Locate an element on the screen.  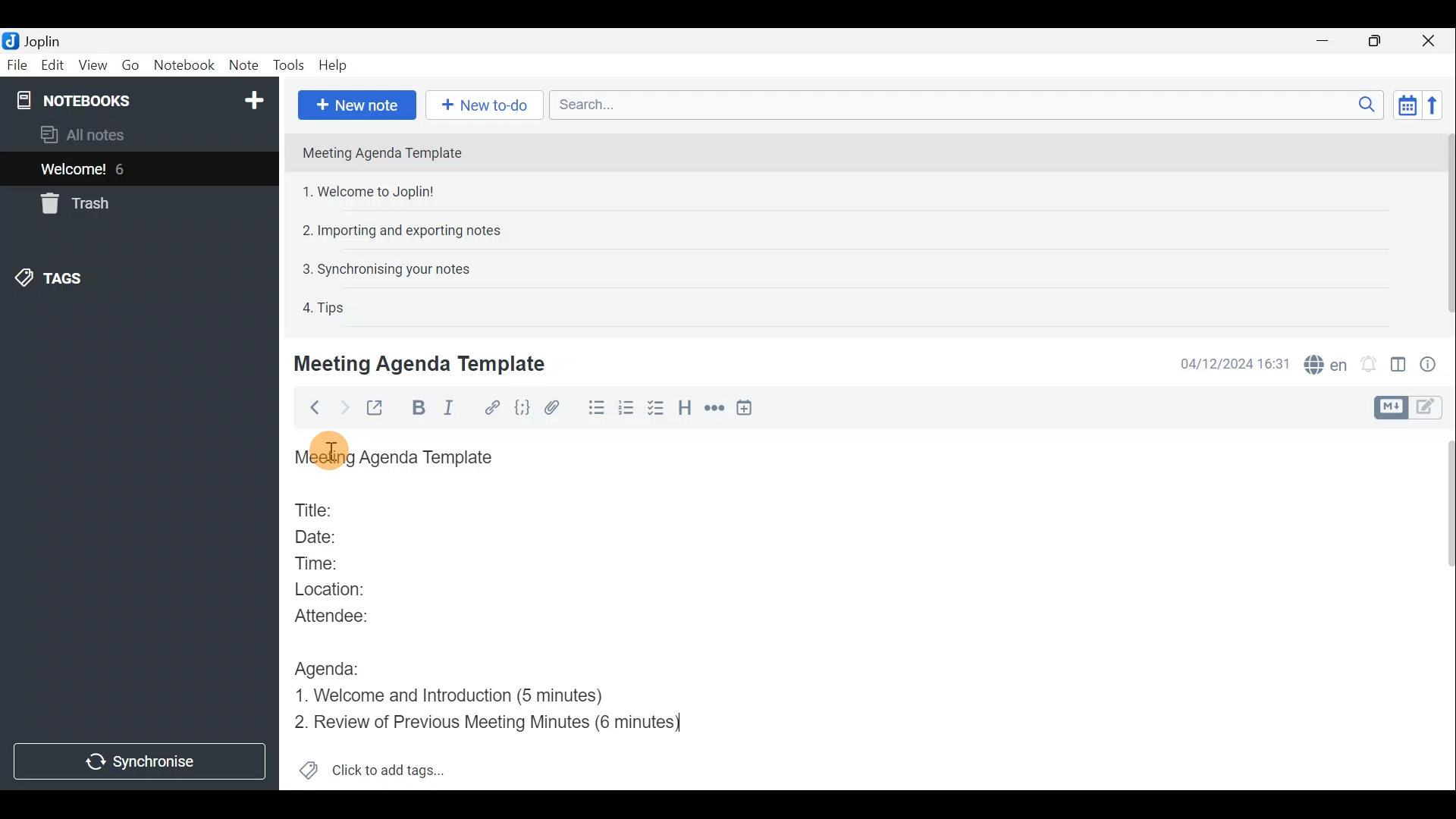
Agenda: is located at coordinates (330, 665).